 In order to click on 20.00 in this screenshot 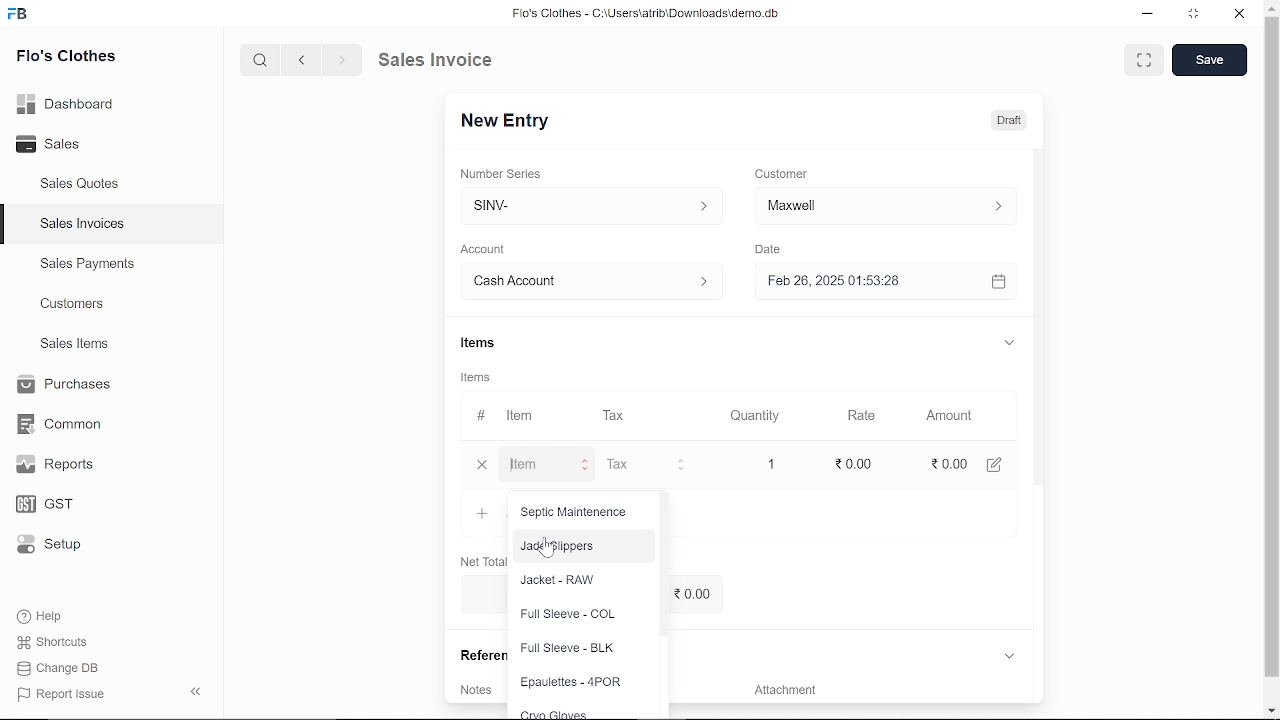, I will do `click(867, 464)`.